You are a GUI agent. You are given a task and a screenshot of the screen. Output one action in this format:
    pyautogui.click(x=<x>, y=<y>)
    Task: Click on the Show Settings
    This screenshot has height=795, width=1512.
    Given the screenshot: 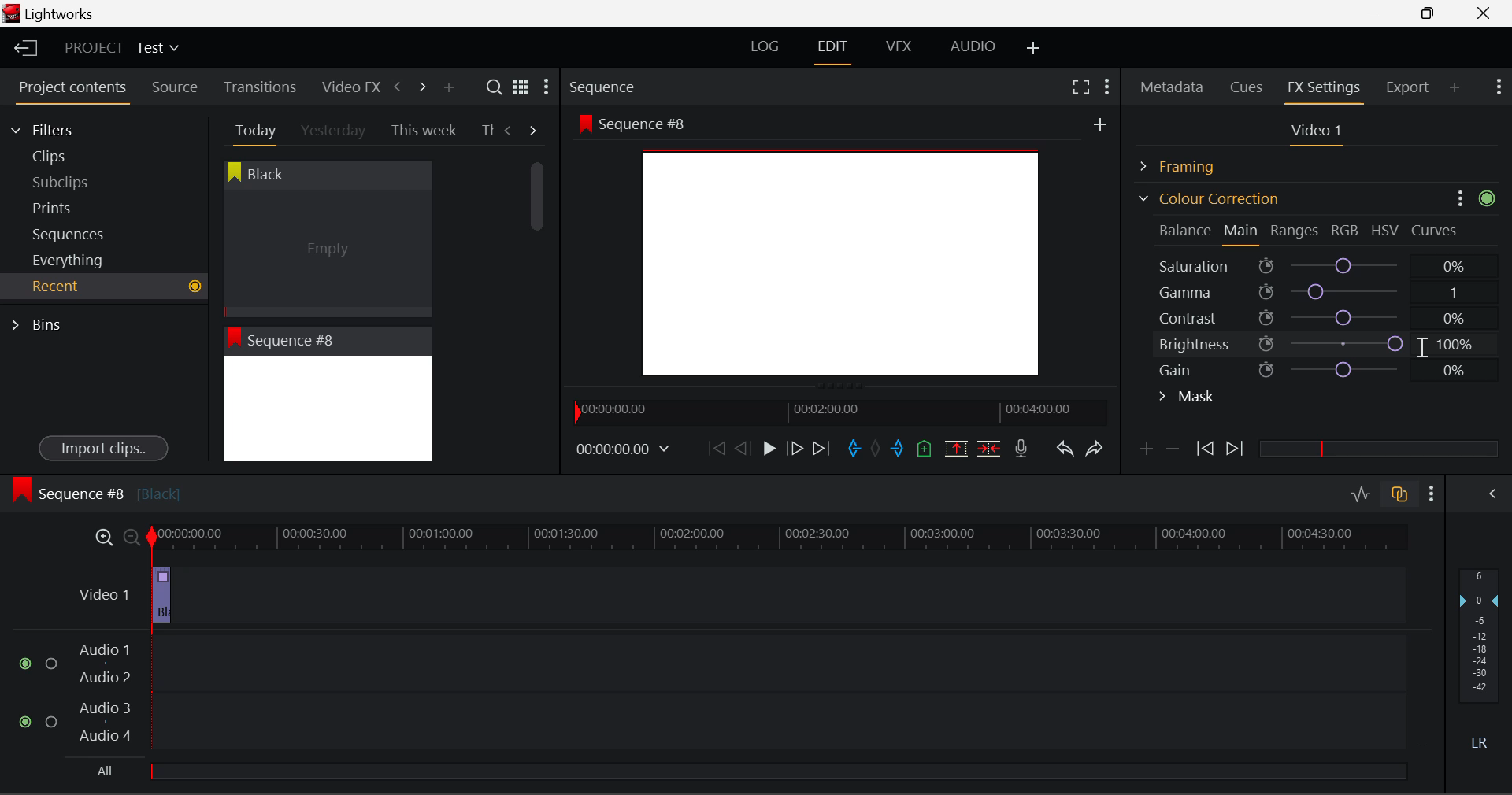 What is the action you would take?
    pyautogui.click(x=1497, y=85)
    